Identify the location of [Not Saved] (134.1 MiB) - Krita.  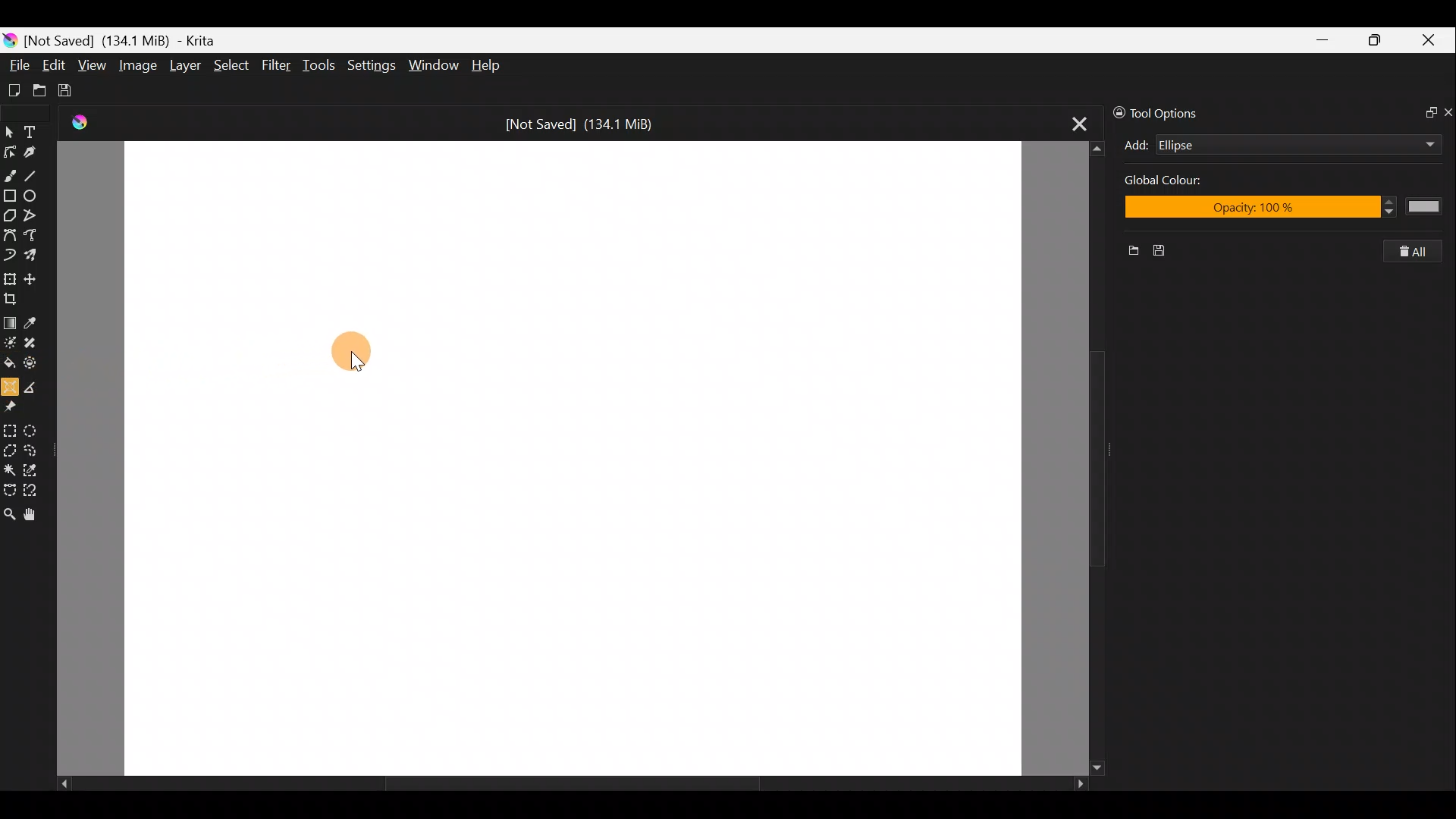
(132, 41).